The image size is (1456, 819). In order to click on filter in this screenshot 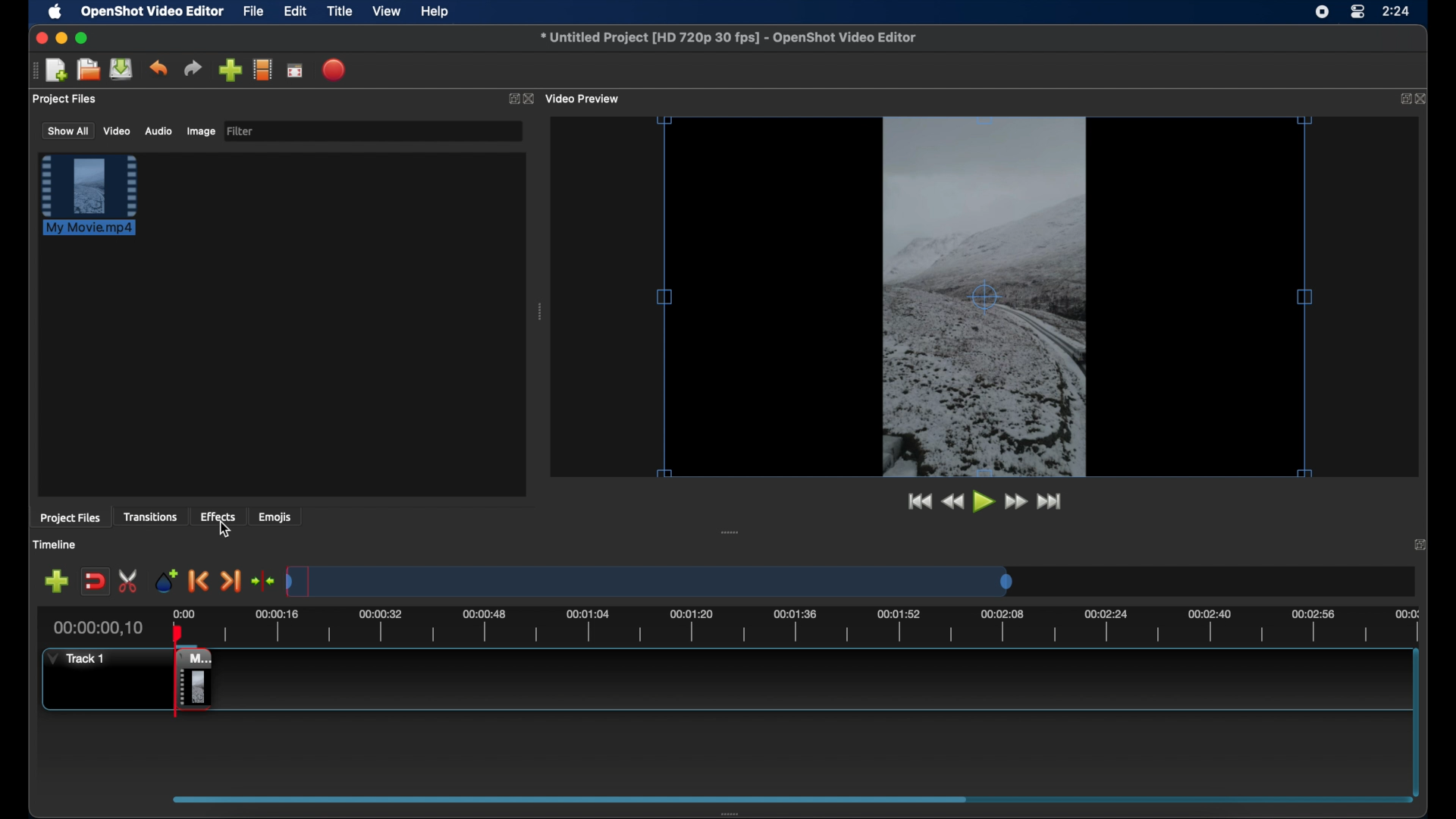, I will do `click(244, 131)`.